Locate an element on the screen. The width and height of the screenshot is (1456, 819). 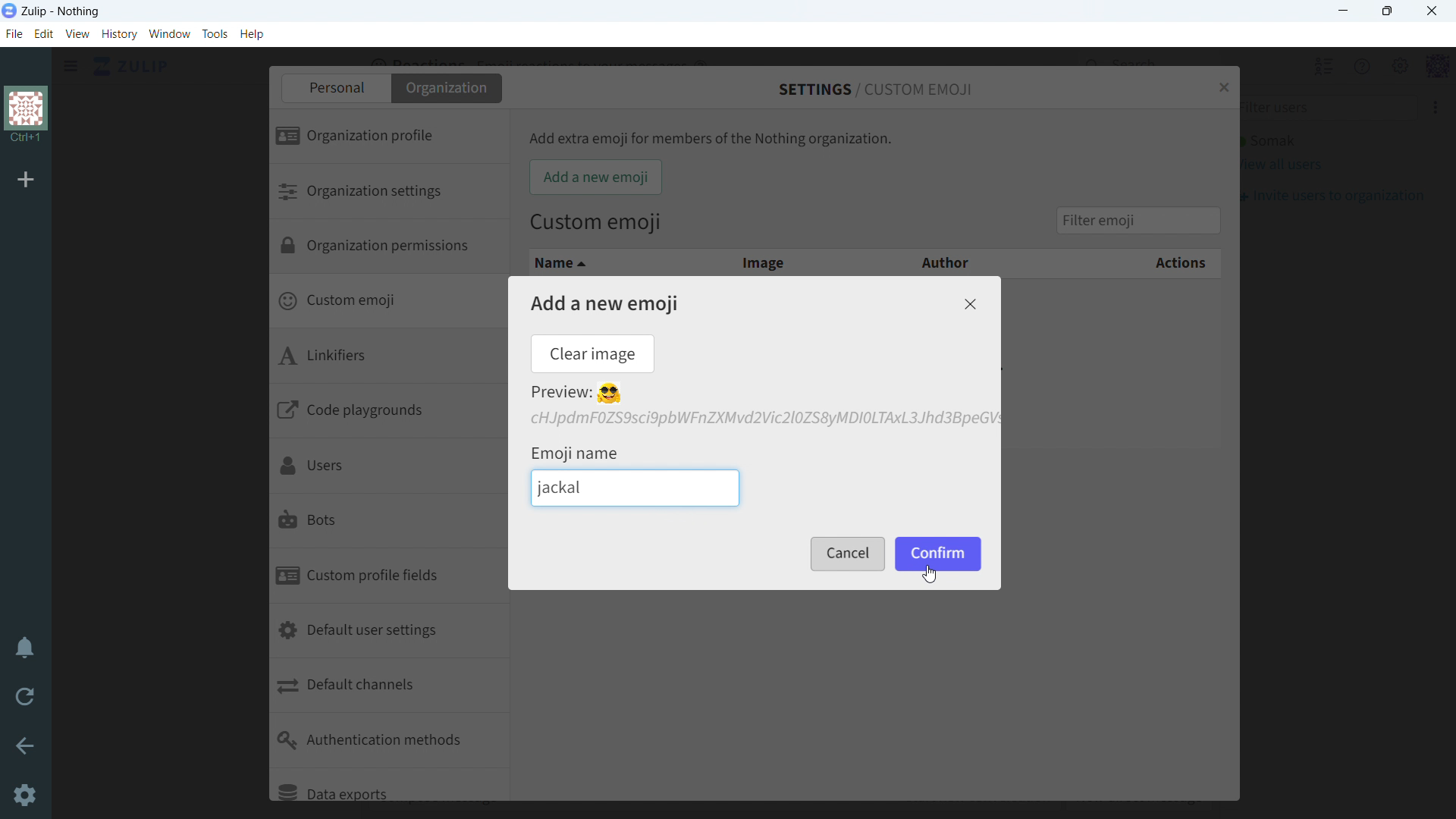
personal menu is located at coordinates (1423, 66).